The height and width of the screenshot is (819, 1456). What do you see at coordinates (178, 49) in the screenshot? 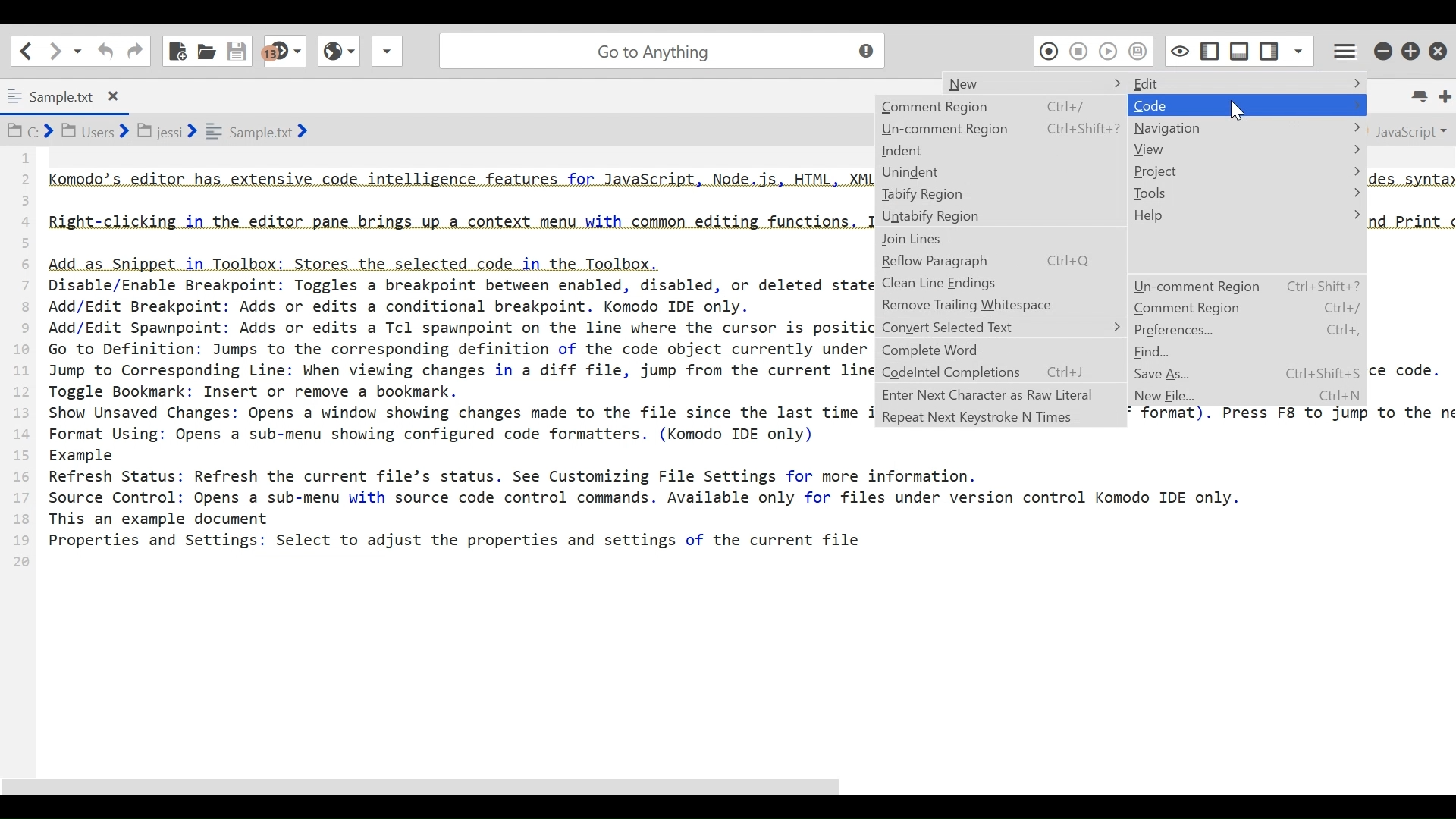
I see `New File` at bounding box center [178, 49].